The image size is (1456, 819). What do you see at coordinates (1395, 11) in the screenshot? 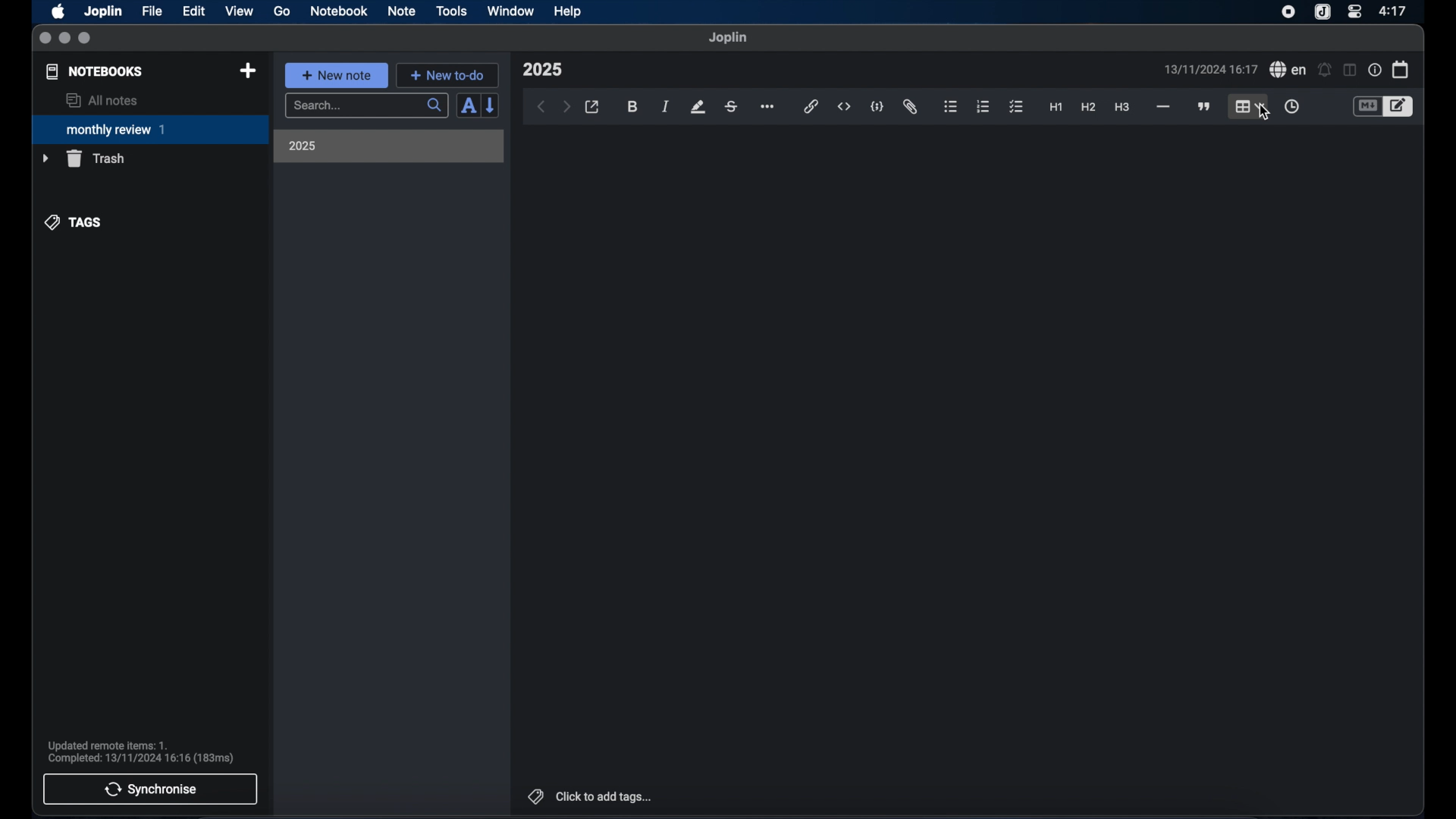
I see `time` at bounding box center [1395, 11].